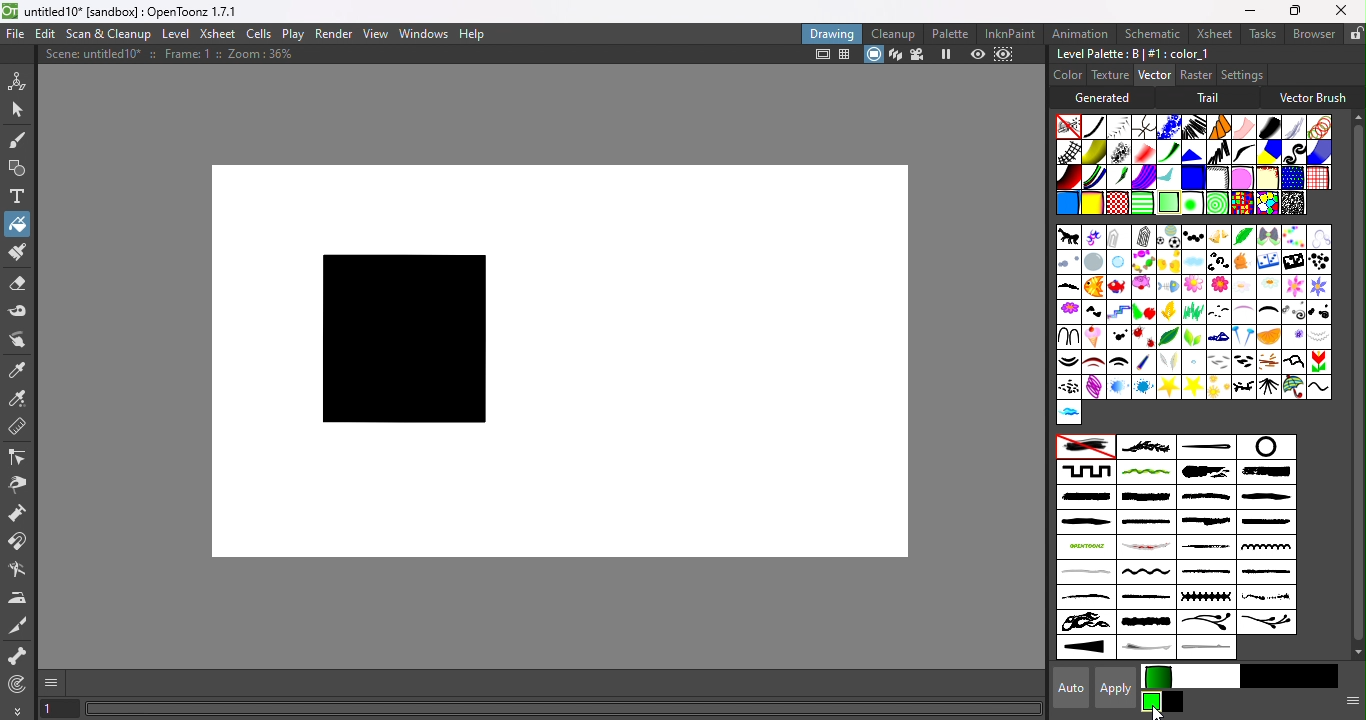 This screenshot has width=1366, height=720. I want to click on sang, so click(1268, 362).